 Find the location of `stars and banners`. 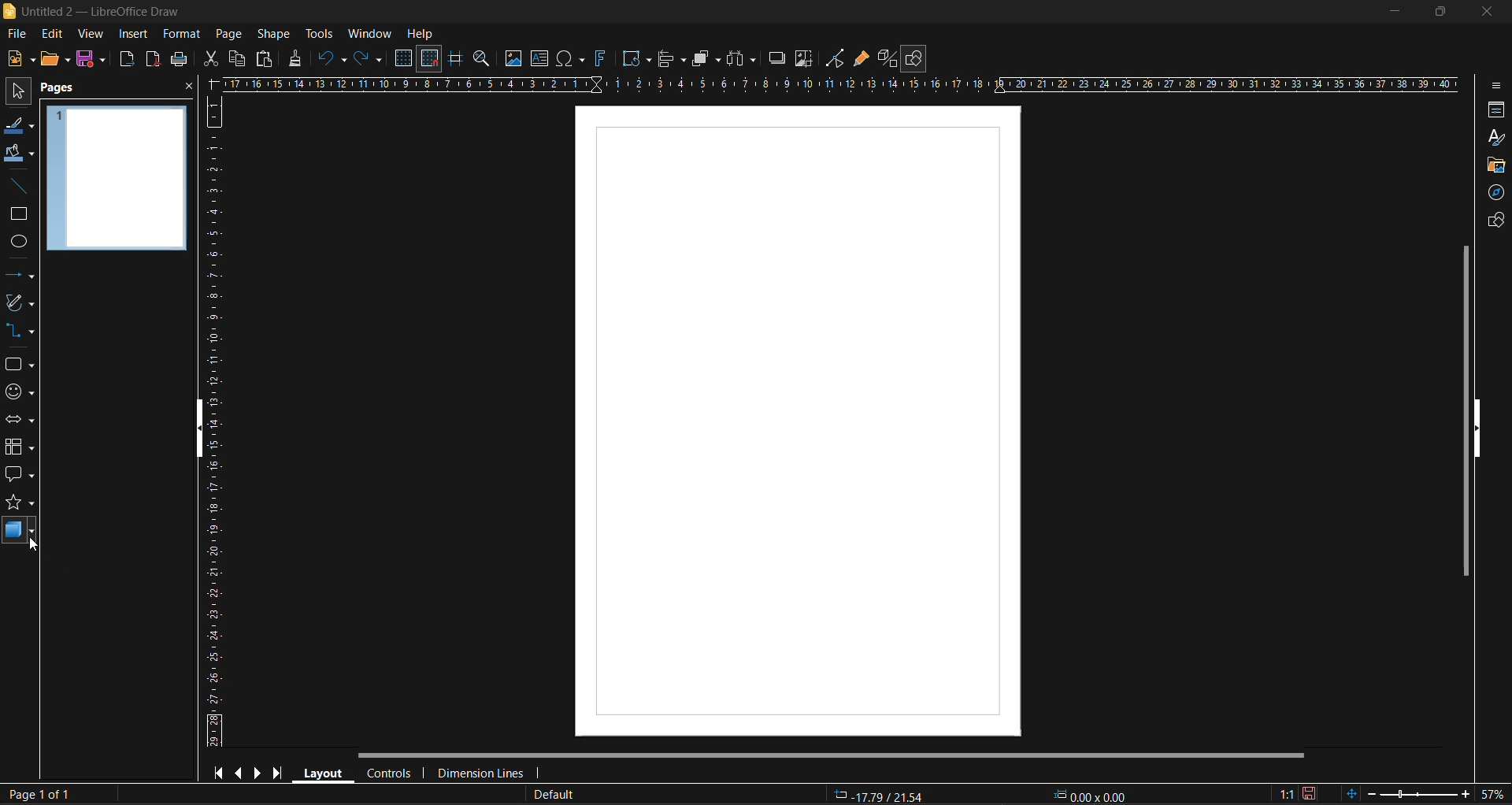

stars and banners is located at coordinates (19, 506).